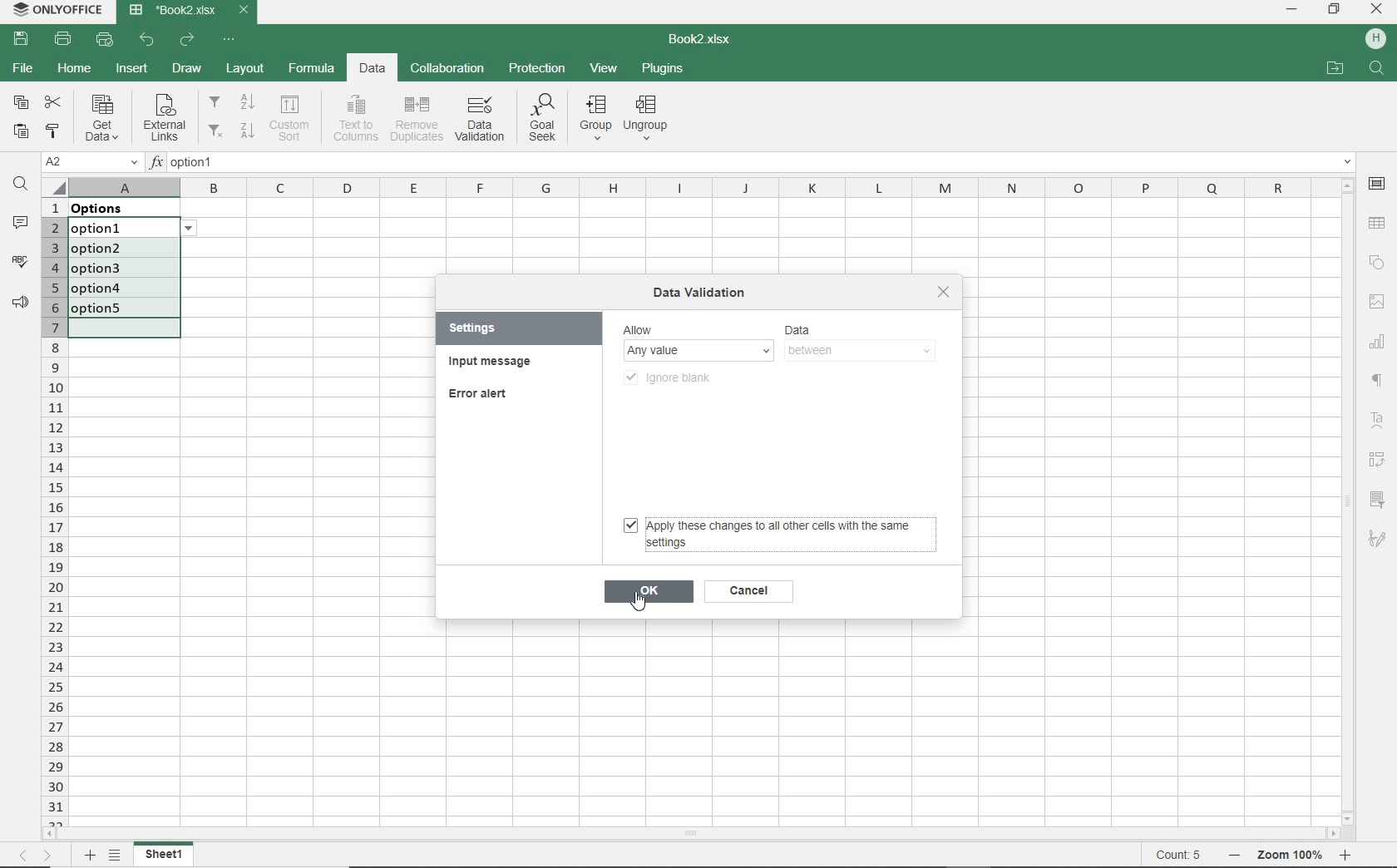 Image resolution: width=1397 pixels, height=868 pixels. I want to click on External links, so click(165, 119).